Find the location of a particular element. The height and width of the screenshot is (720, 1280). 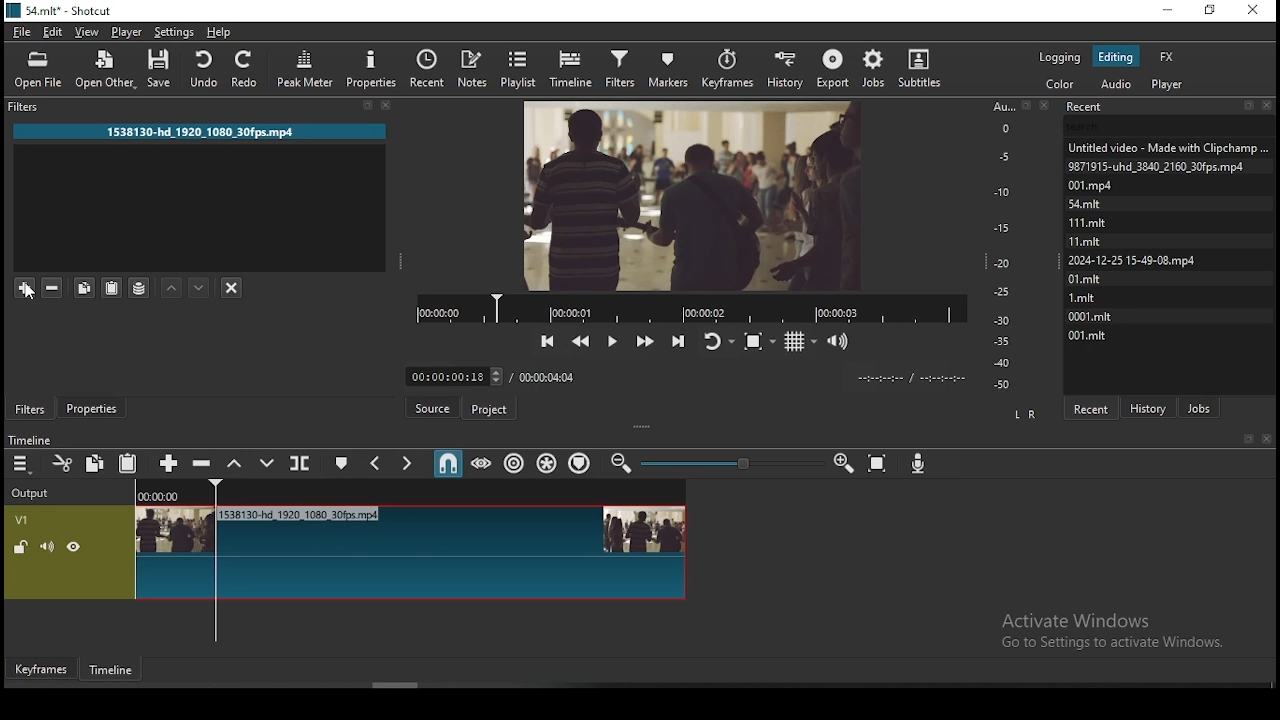

ripple markers is located at coordinates (578, 464).